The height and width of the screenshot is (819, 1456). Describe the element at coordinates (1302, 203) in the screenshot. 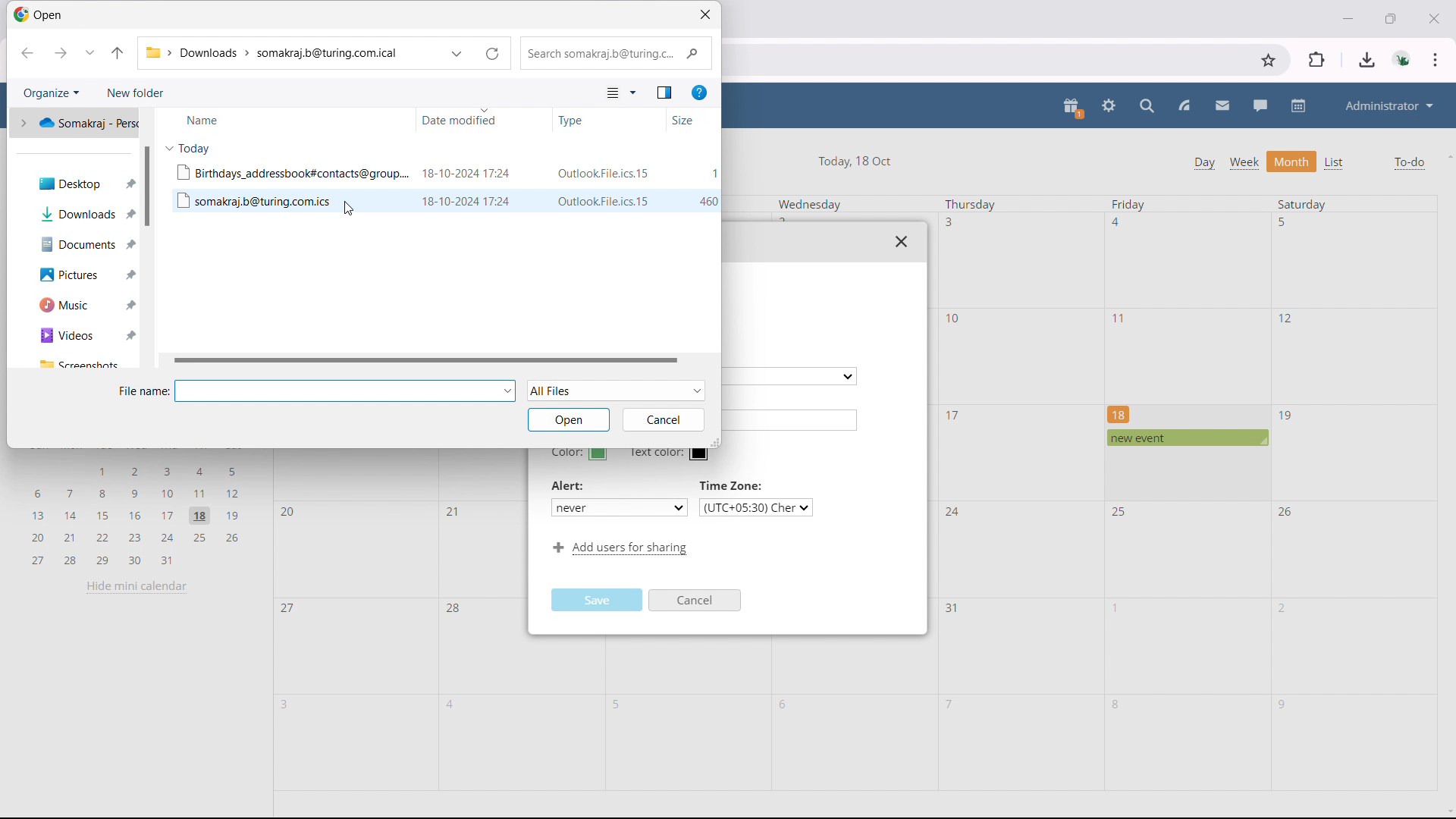

I see `Saturday` at that location.